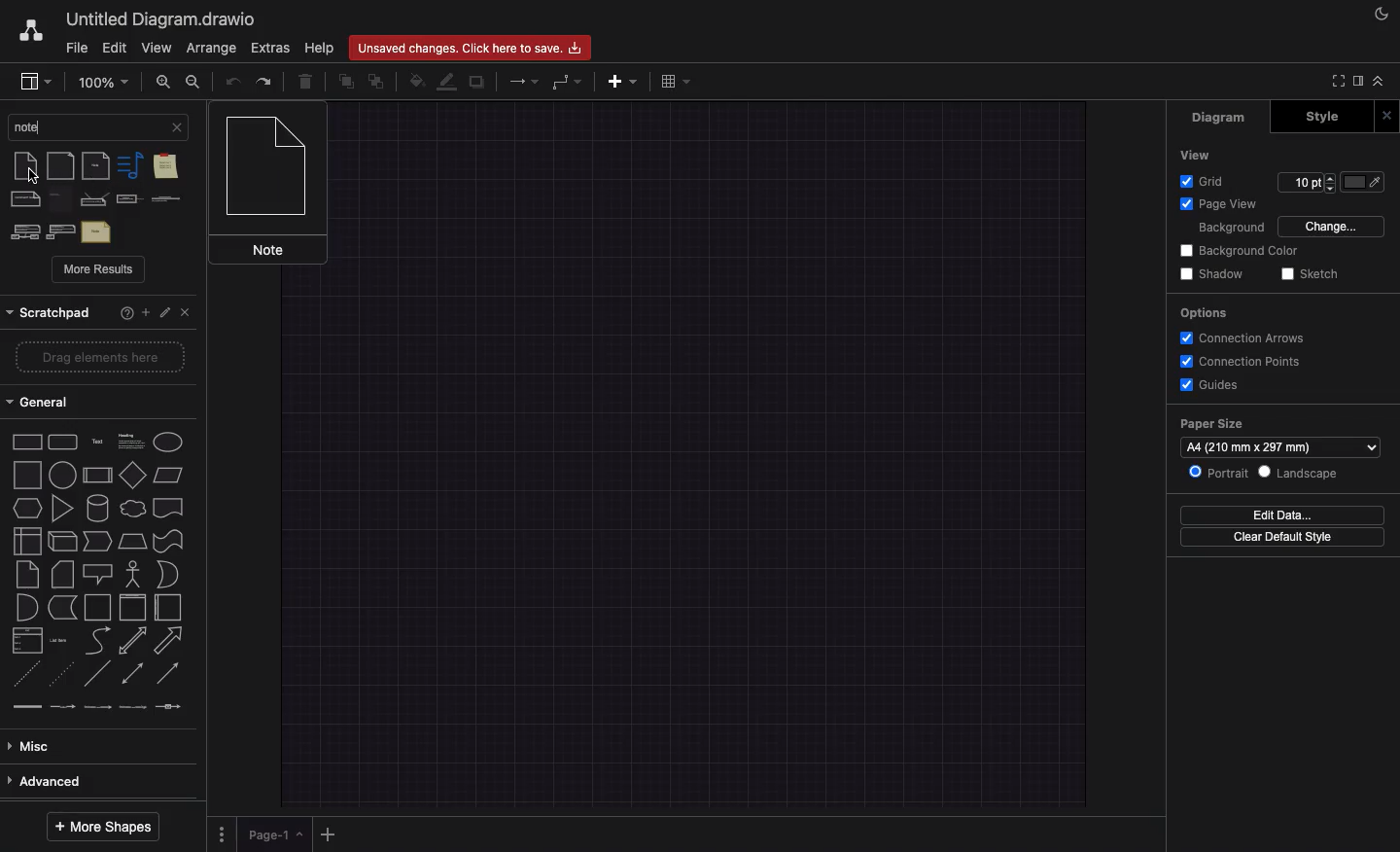  I want to click on card, so click(61, 574).